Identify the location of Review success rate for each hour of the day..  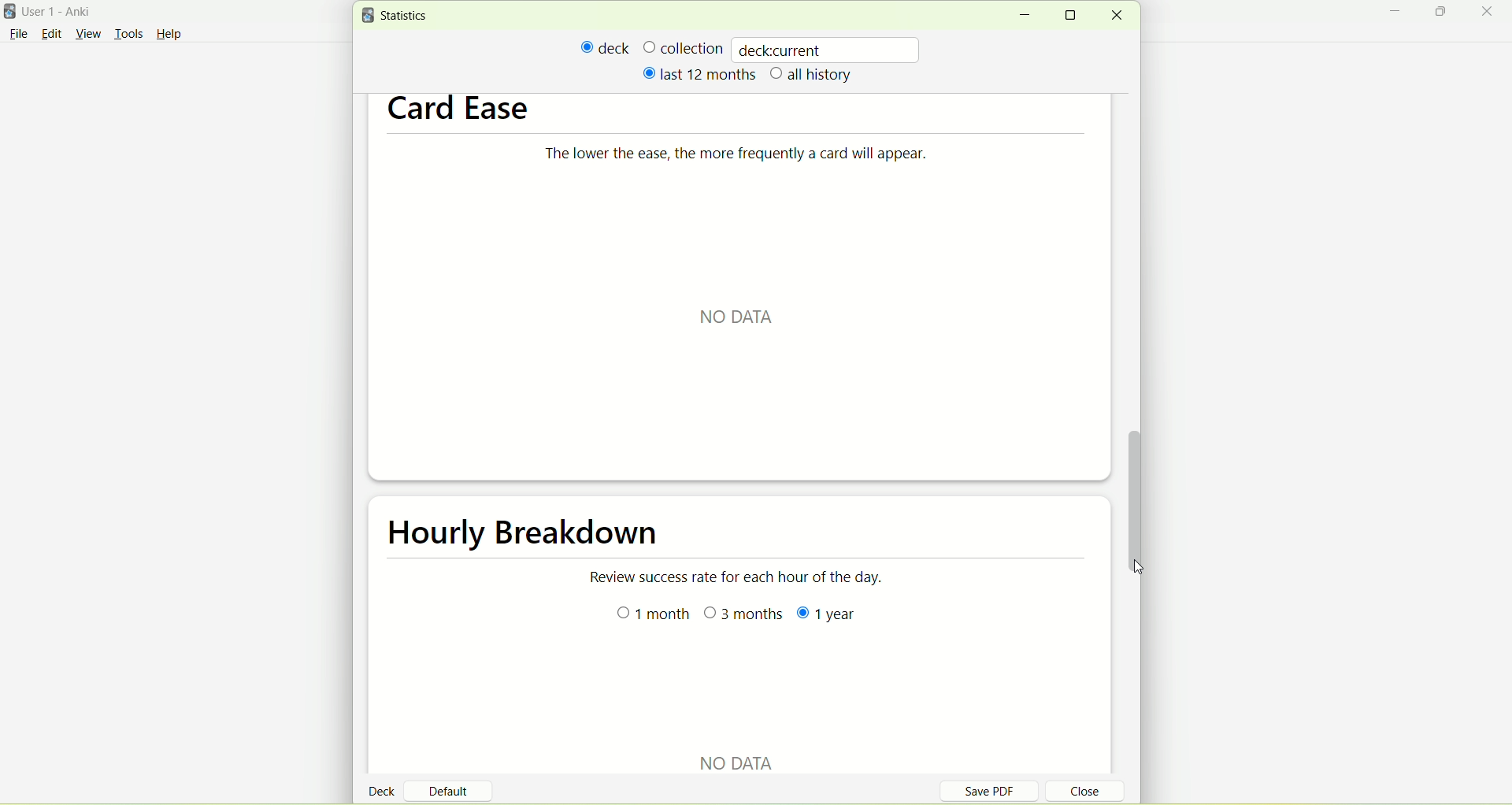
(741, 580).